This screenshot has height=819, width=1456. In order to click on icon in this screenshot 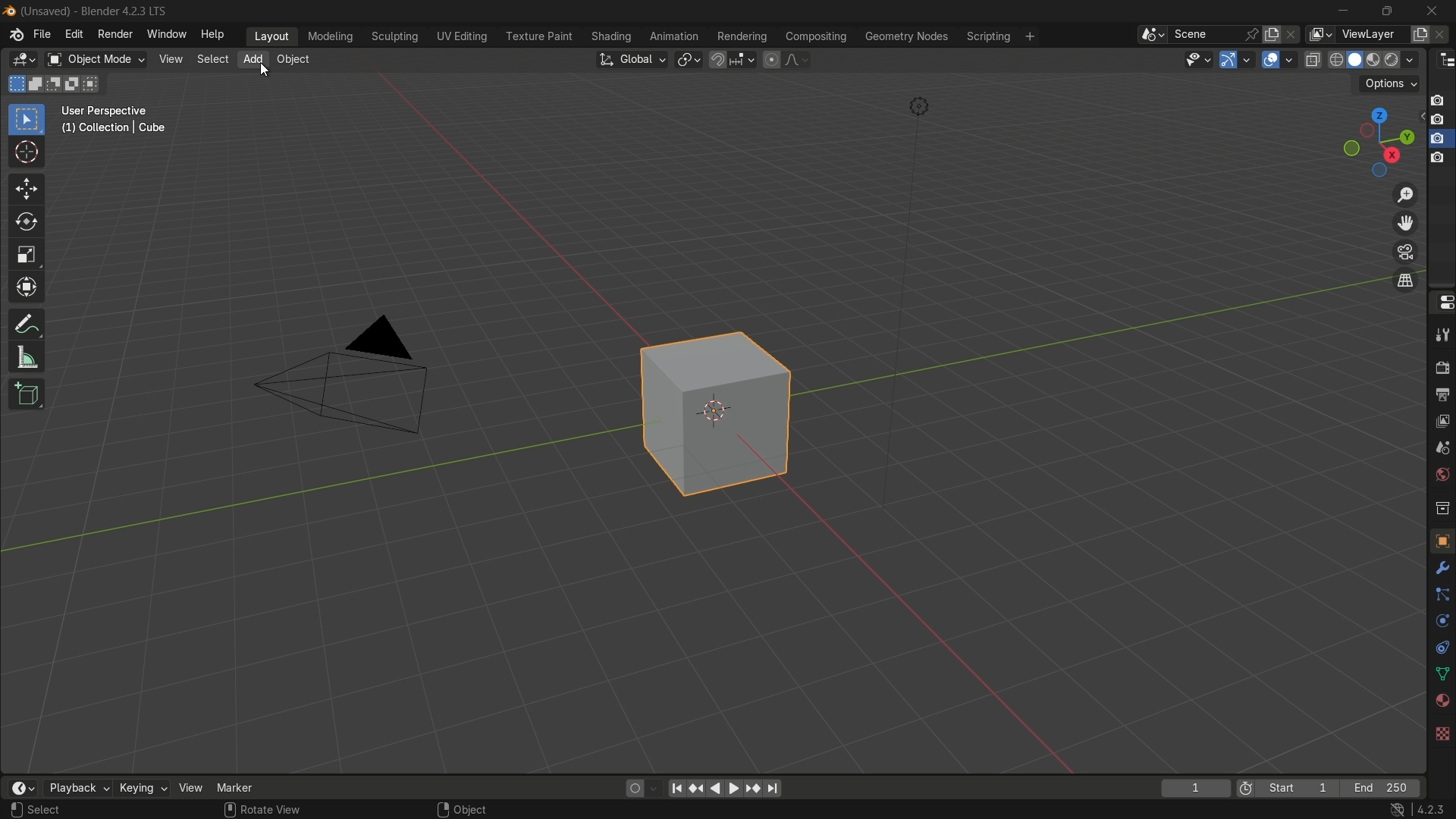, I will do `click(1246, 790)`.